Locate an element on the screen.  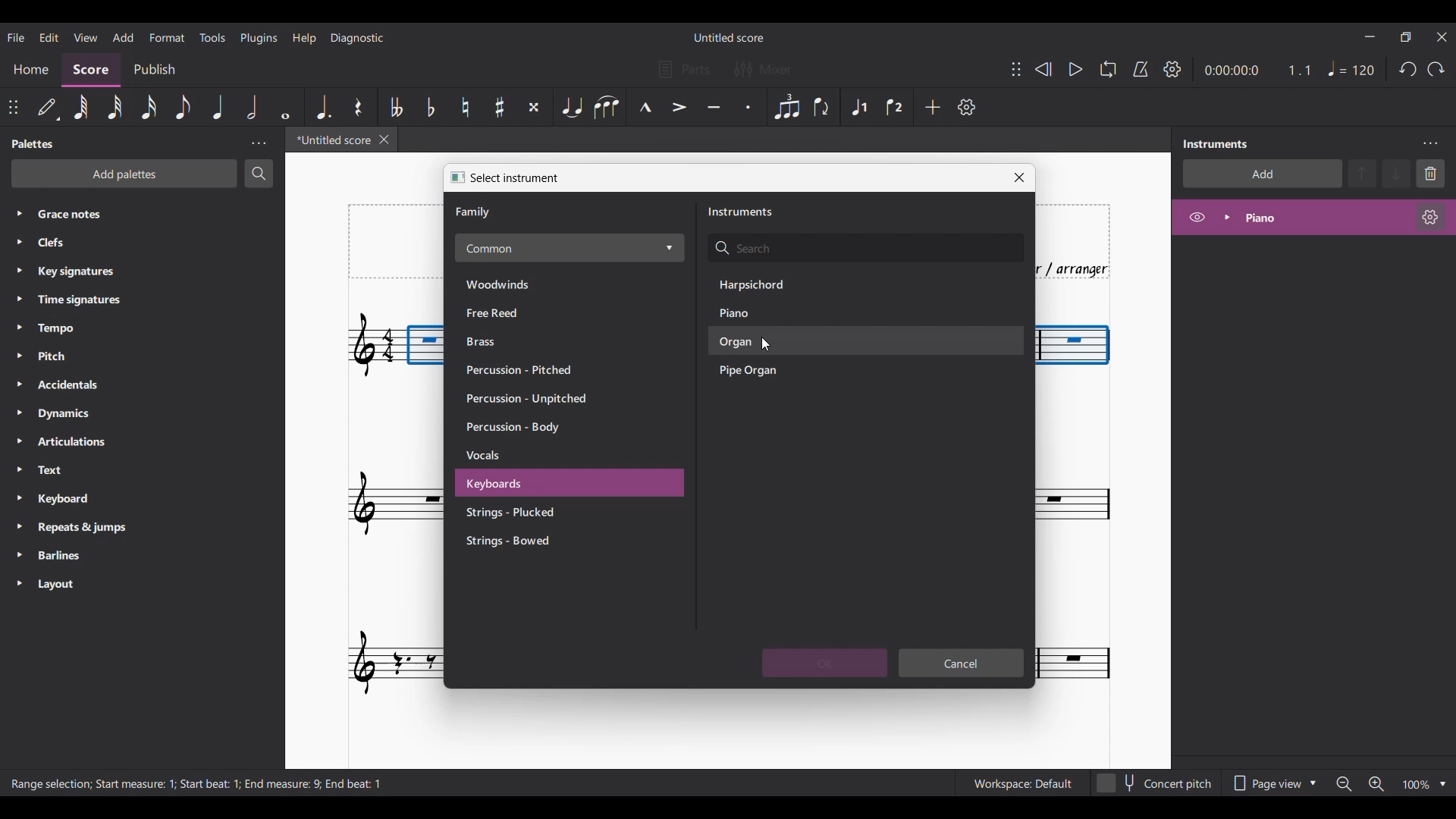
Dynamics is located at coordinates (90, 415).